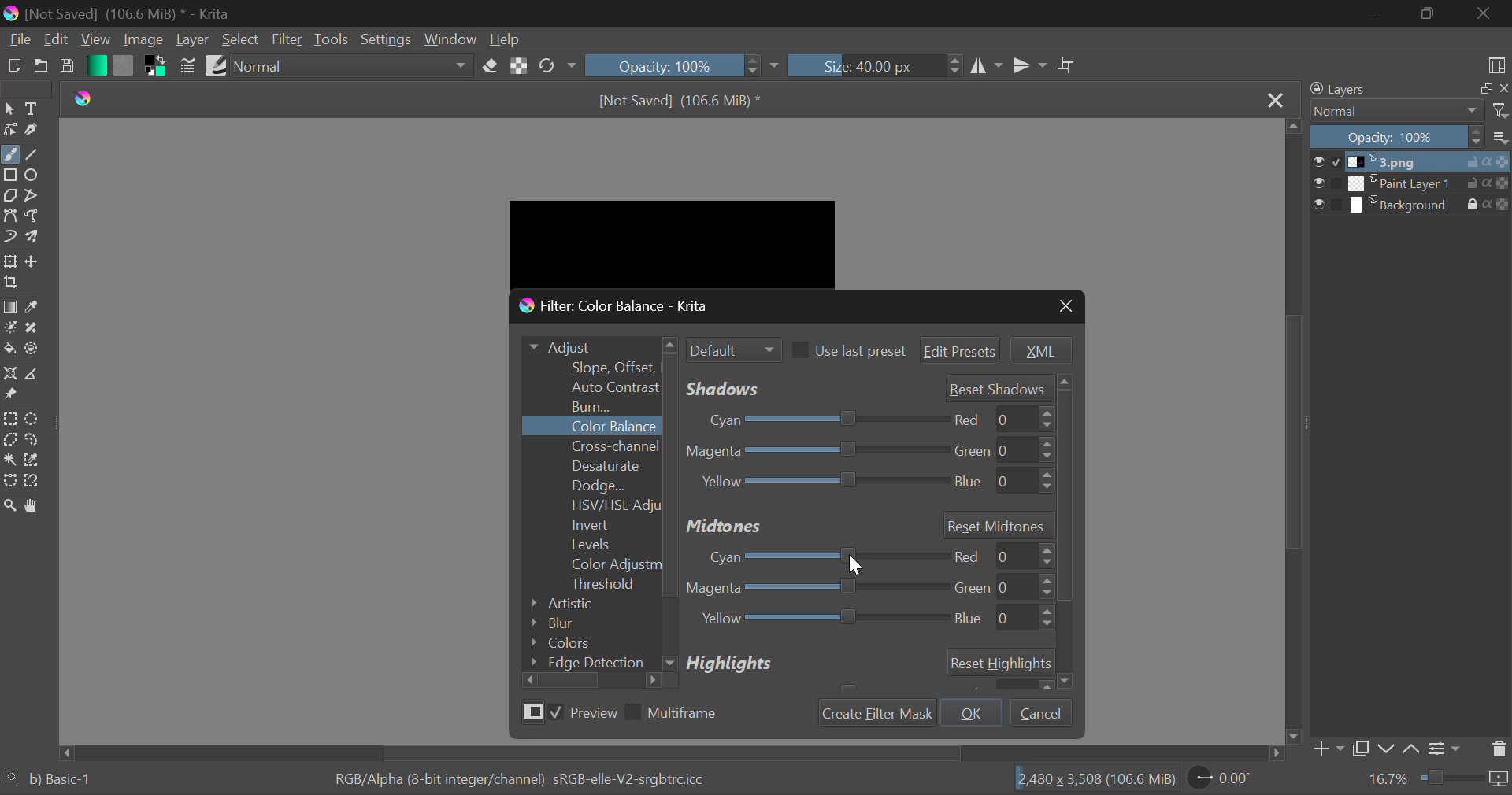 The width and height of the screenshot is (1512, 795). I want to click on Slope Offset, so click(613, 368).